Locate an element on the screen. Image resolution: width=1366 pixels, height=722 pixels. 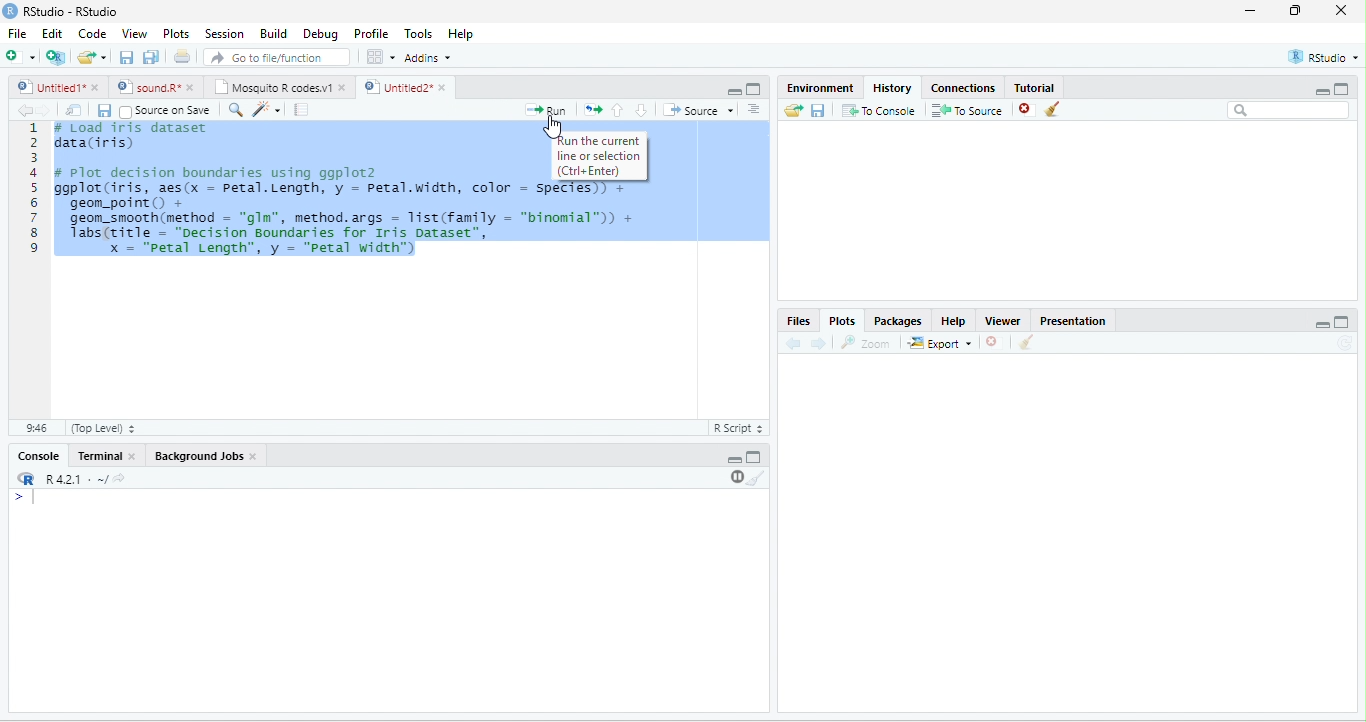
pause is located at coordinates (735, 477).